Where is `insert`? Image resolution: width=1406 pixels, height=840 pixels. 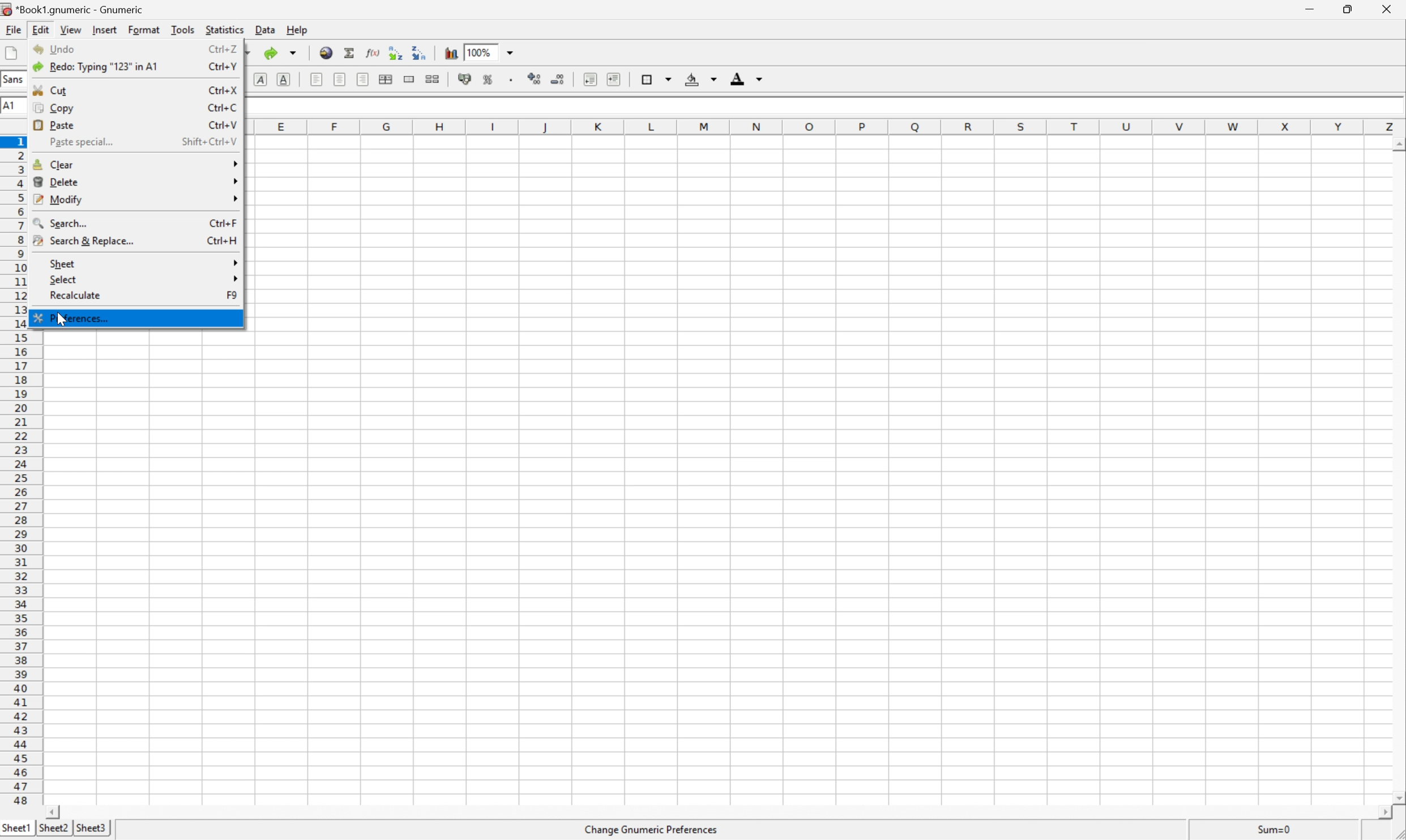 insert is located at coordinates (105, 31).